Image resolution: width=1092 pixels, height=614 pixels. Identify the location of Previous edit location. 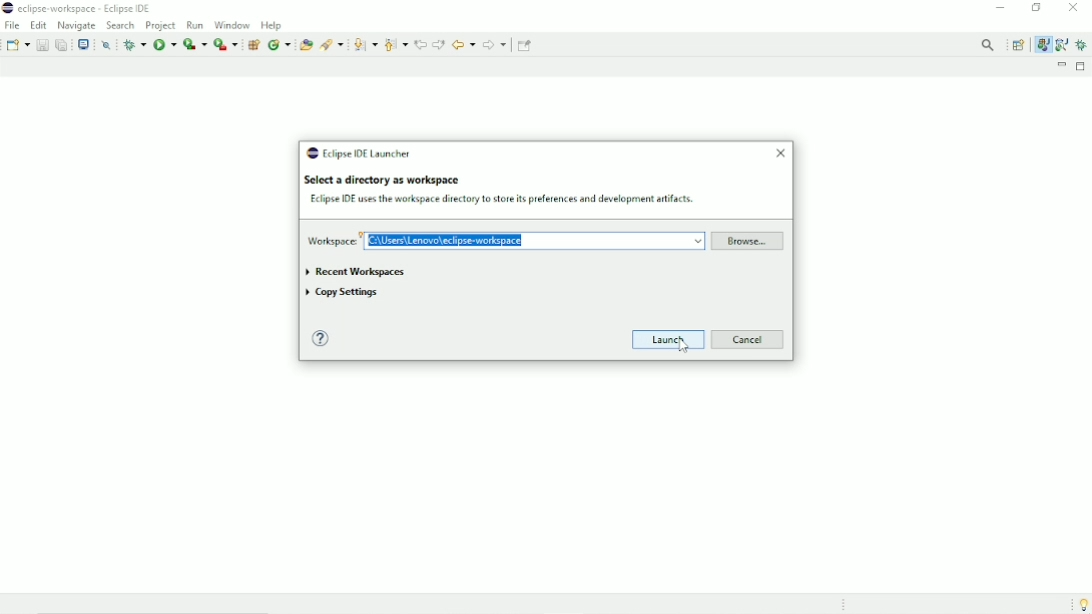
(420, 43).